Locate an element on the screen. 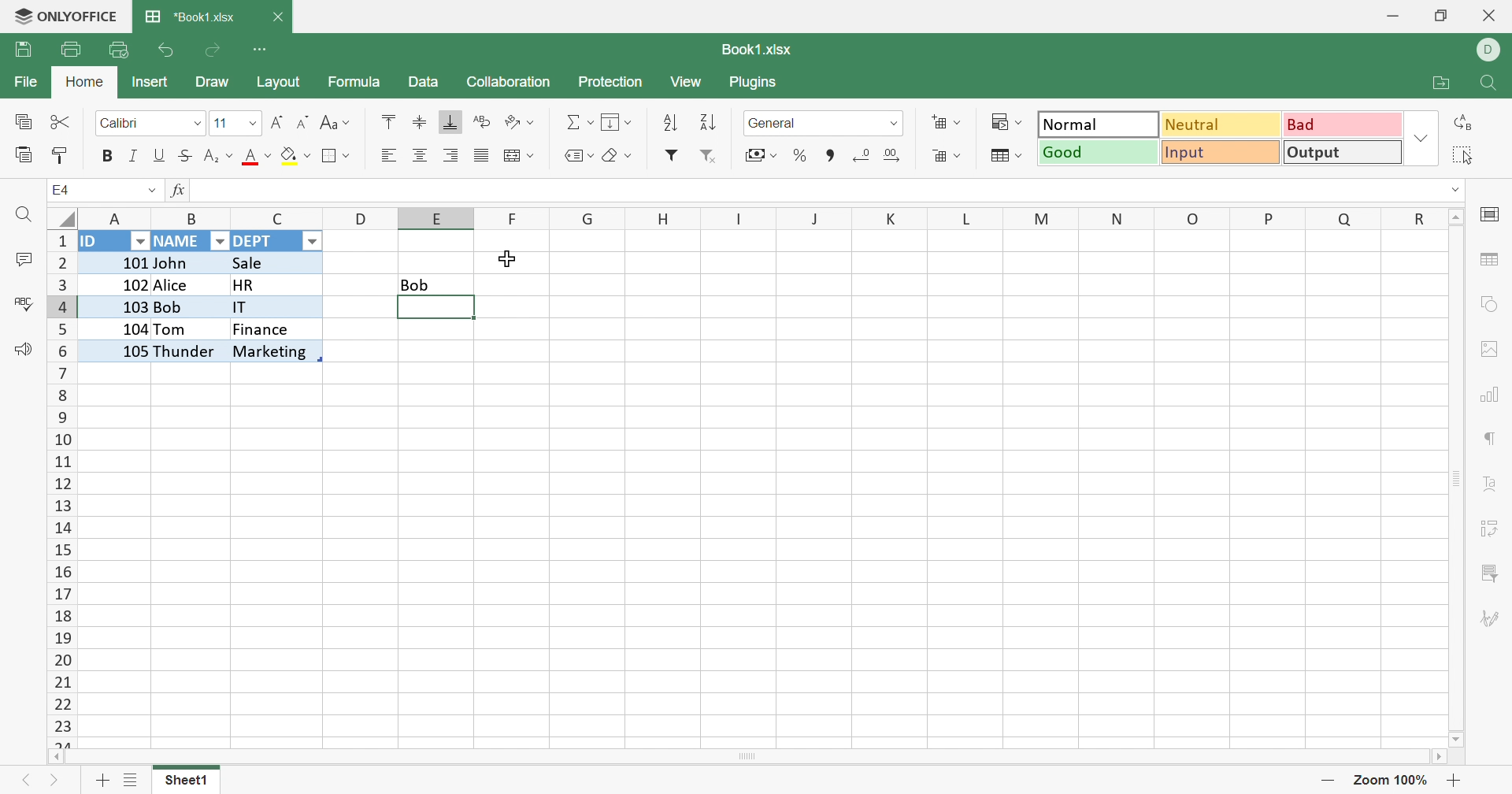 The image size is (1512, 794). Paste is located at coordinates (22, 154).